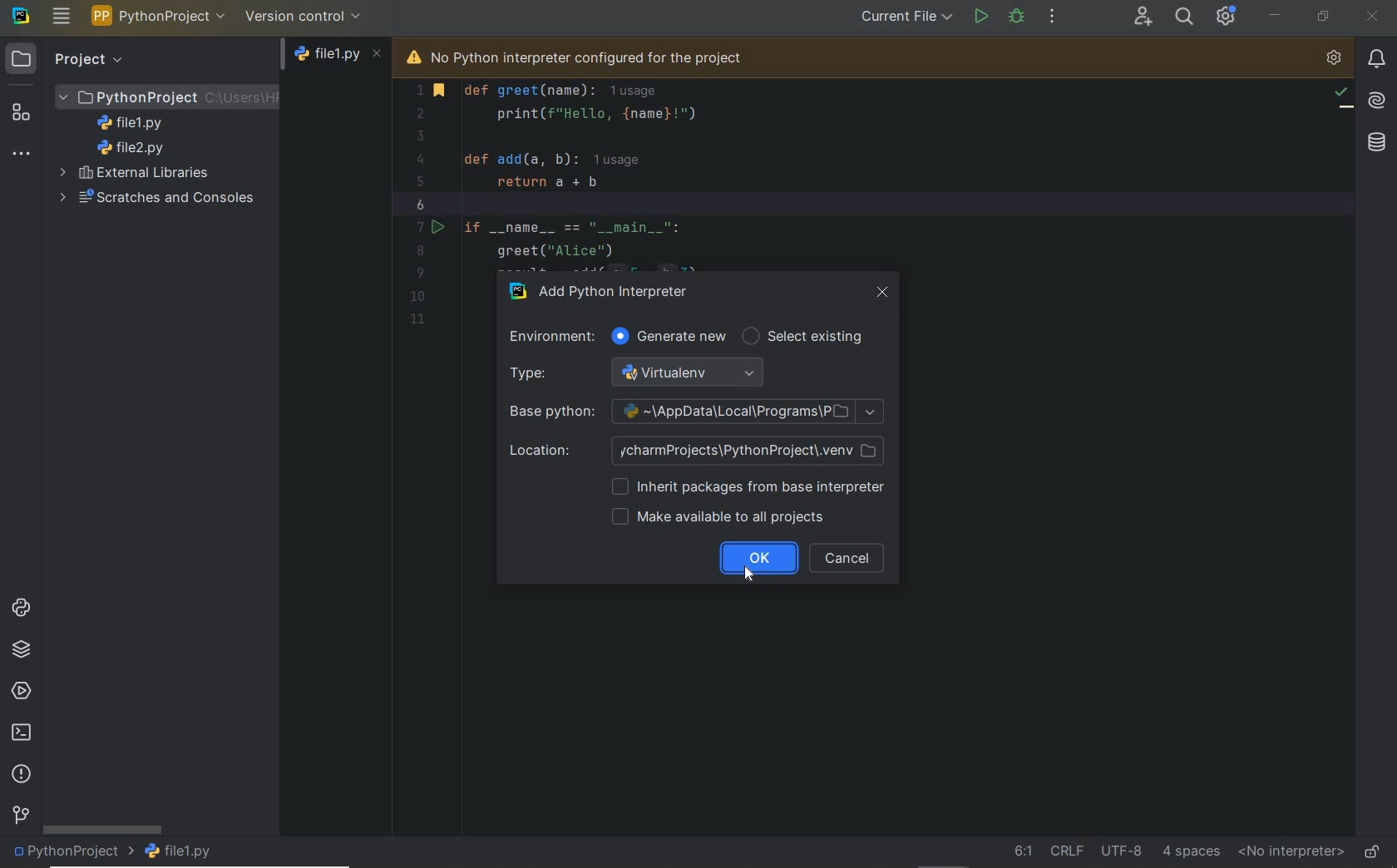 The width and height of the screenshot is (1397, 868). I want to click on project name, so click(159, 16).